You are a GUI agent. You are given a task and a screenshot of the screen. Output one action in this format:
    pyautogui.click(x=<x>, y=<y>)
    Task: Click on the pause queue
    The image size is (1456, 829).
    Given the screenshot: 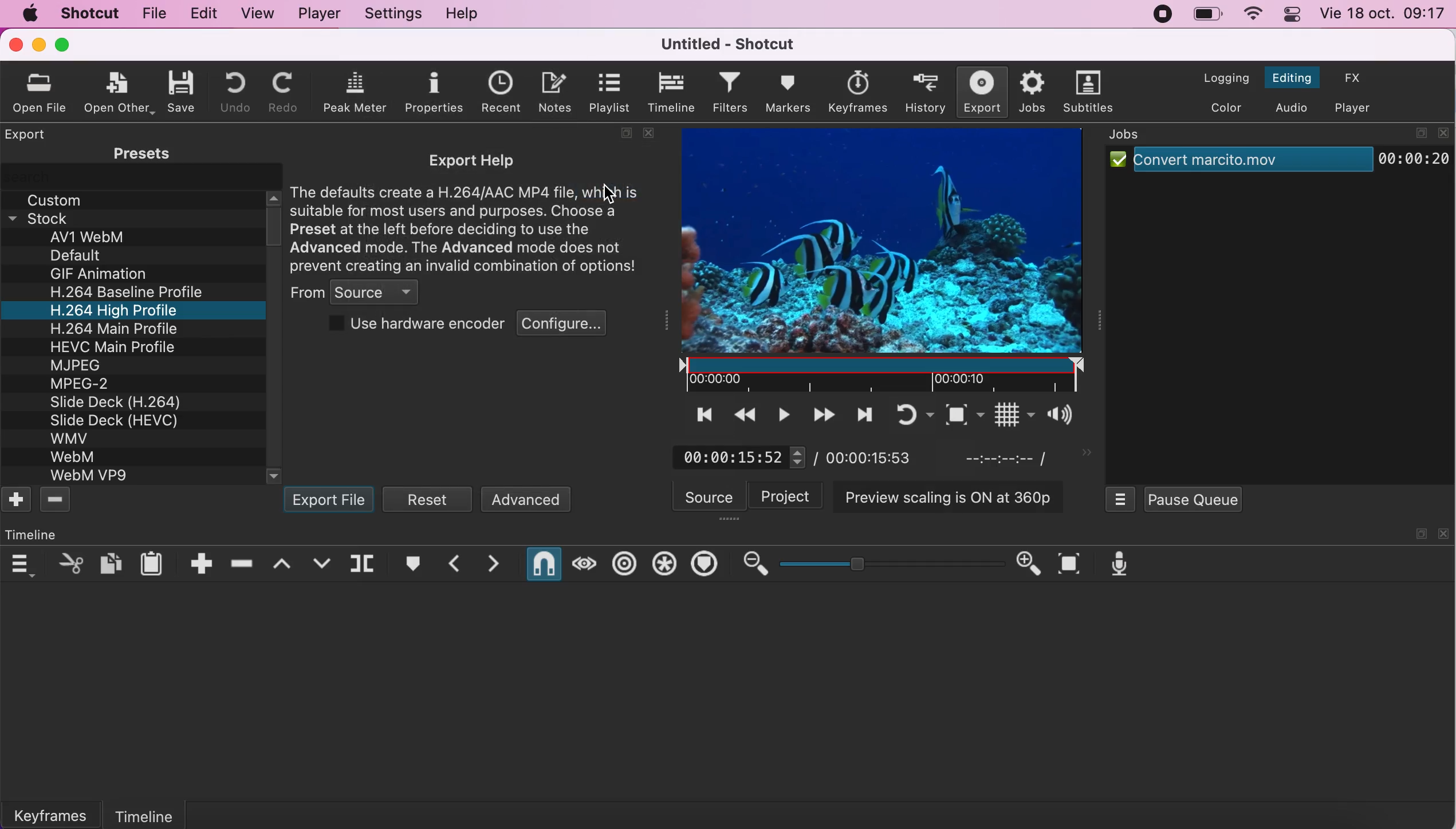 What is the action you would take?
    pyautogui.click(x=1192, y=499)
    